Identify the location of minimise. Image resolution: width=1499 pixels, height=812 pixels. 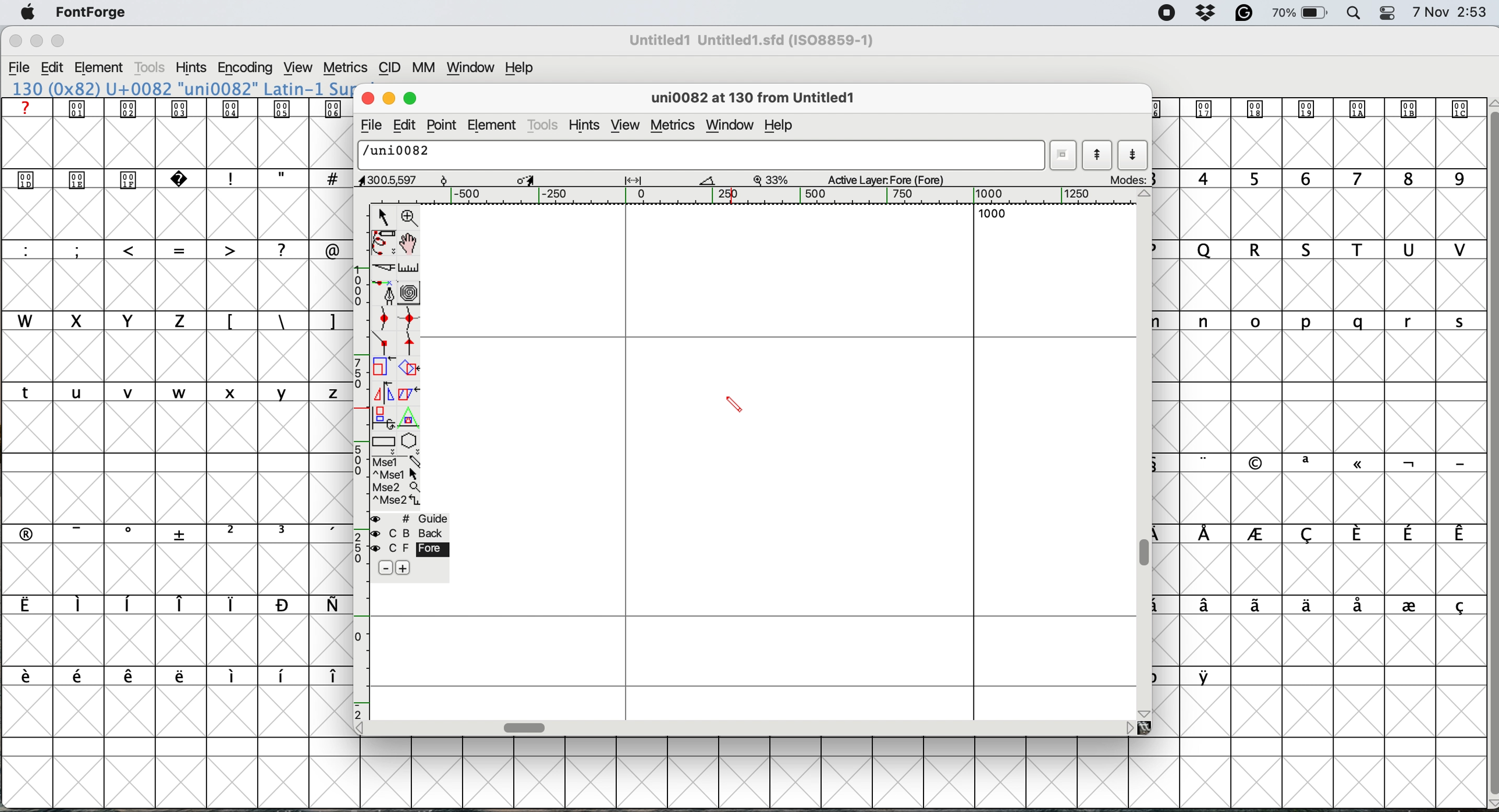
(33, 43).